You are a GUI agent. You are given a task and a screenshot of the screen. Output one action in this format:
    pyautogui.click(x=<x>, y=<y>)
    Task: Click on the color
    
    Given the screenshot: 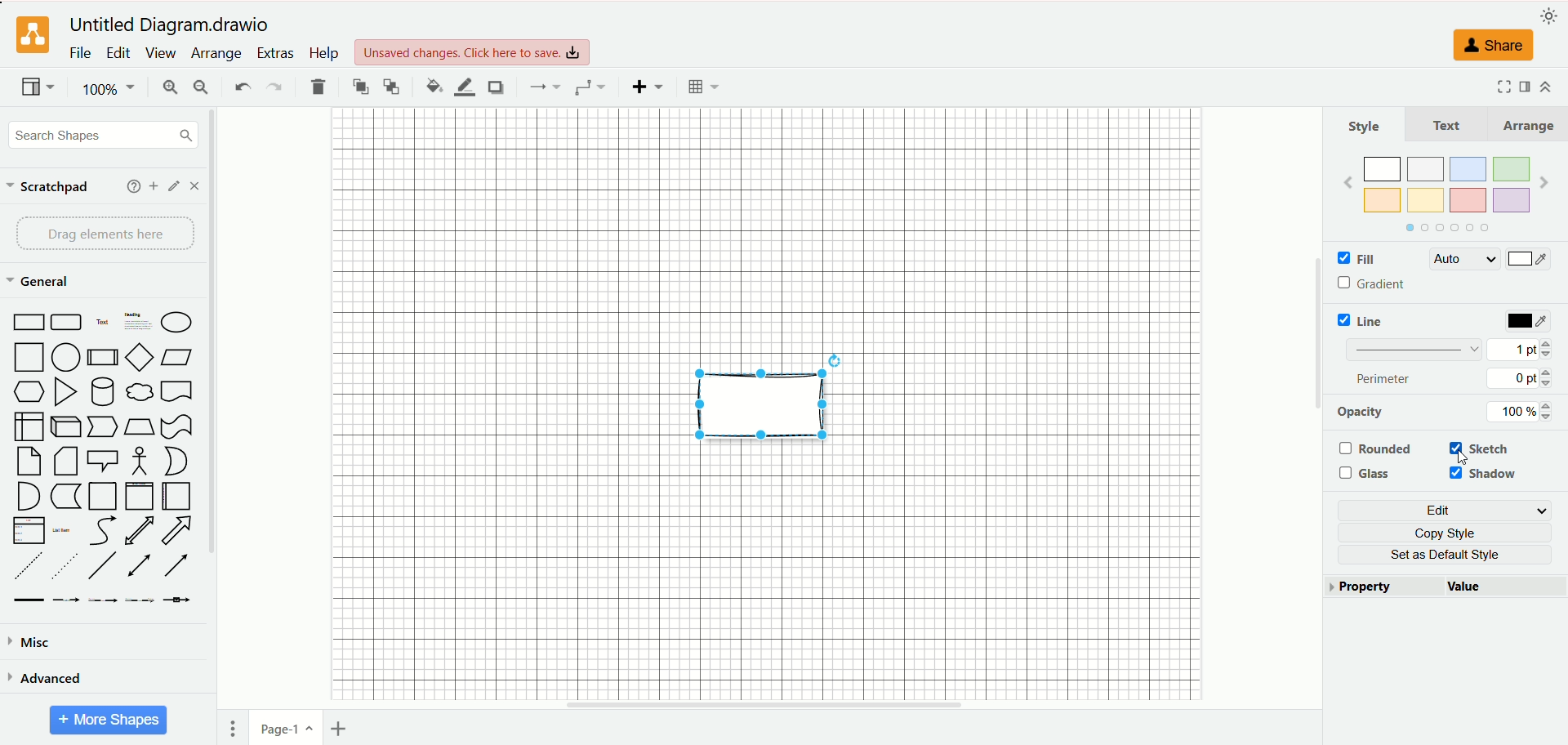 What is the action you would take?
    pyautogui.click(x=1530, y=322)
    